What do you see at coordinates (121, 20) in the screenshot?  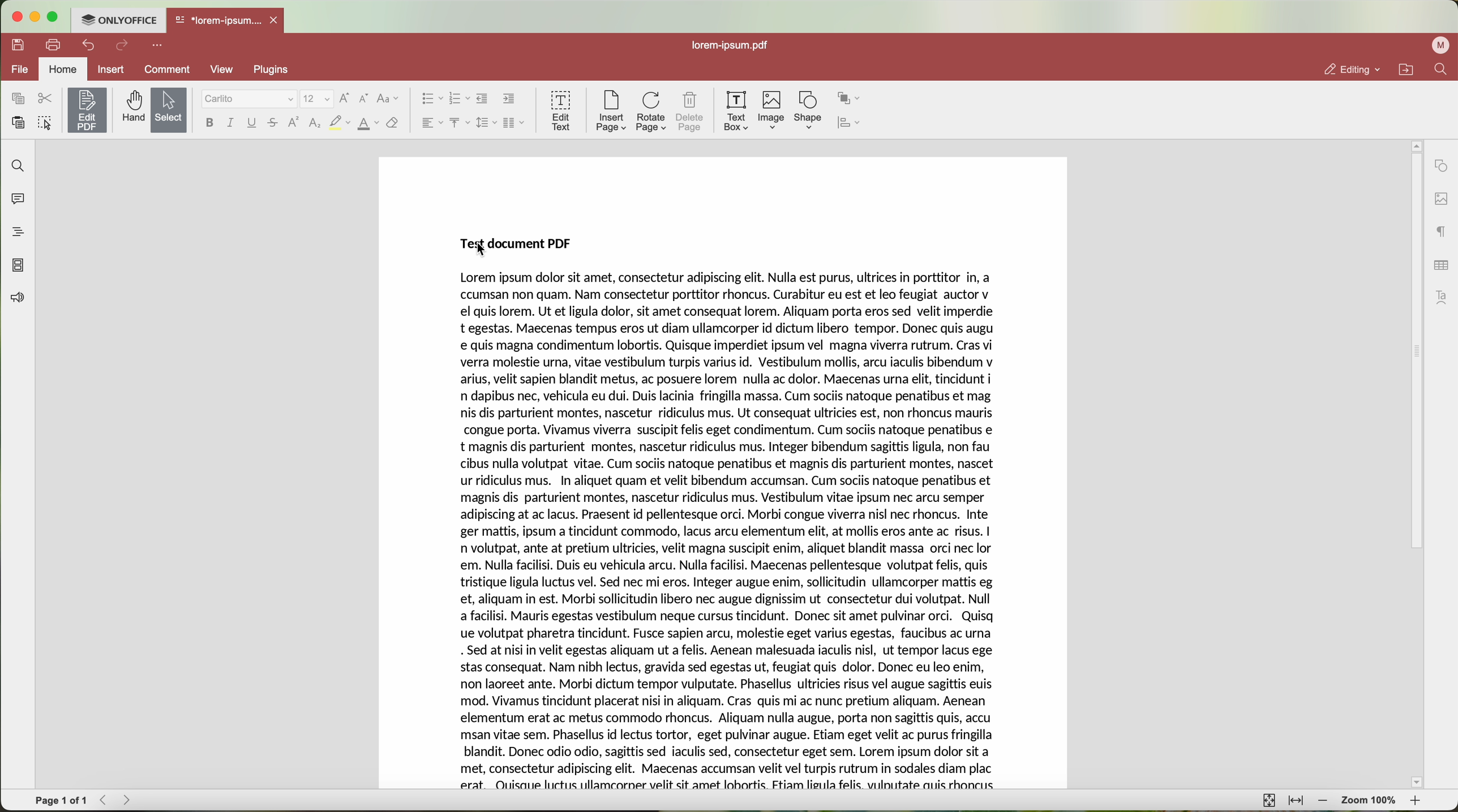 I see `ONLYOFFICE` at bounding box center [121, 20].